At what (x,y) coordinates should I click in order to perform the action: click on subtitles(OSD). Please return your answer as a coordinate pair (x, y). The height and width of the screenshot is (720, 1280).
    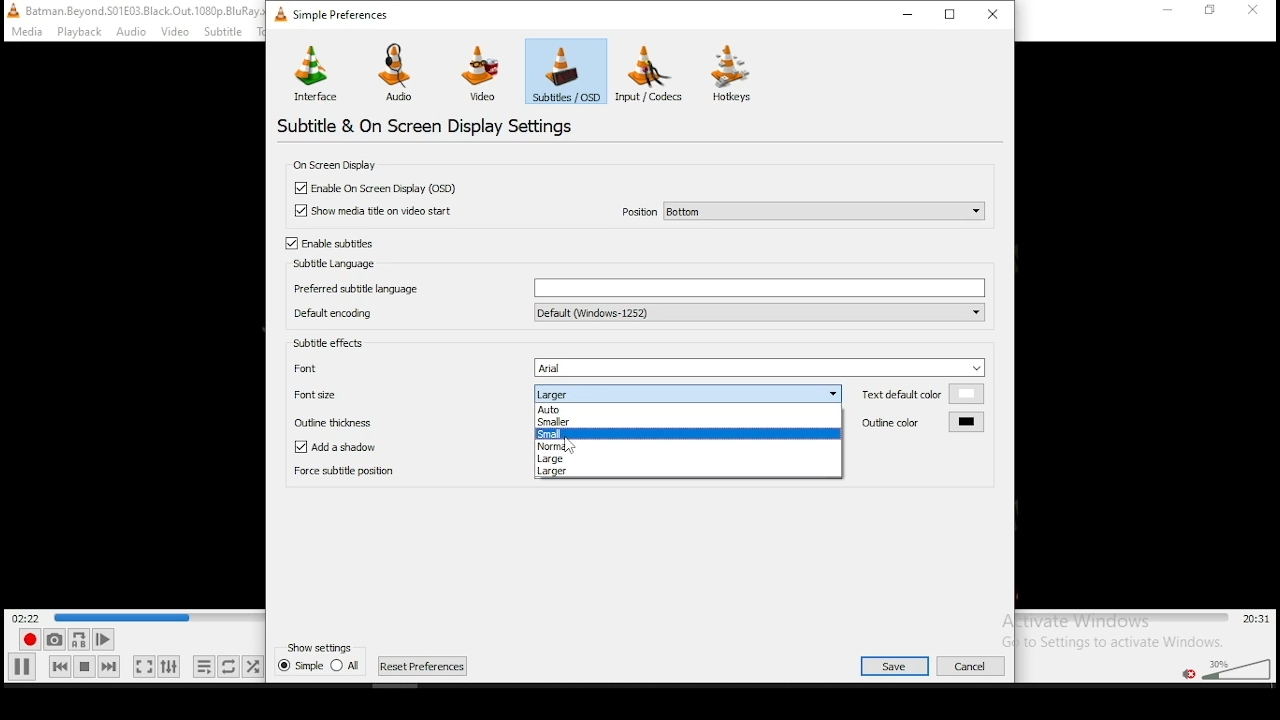
    Looking at the image, I should click on (566, 70).